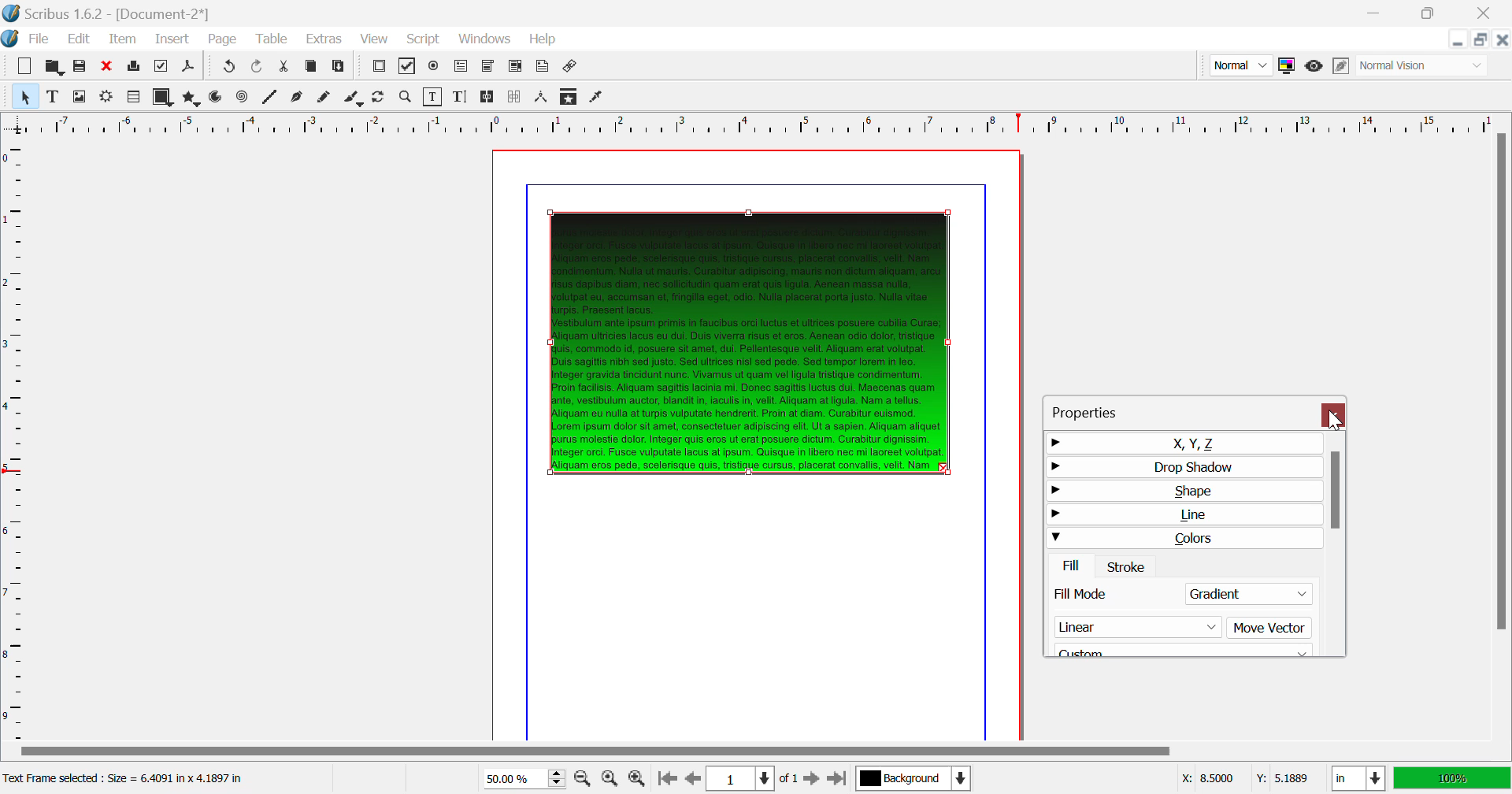 This screenshot has height=794, width=1512. I want to click on X, Y, Z, so click(1182, 443).